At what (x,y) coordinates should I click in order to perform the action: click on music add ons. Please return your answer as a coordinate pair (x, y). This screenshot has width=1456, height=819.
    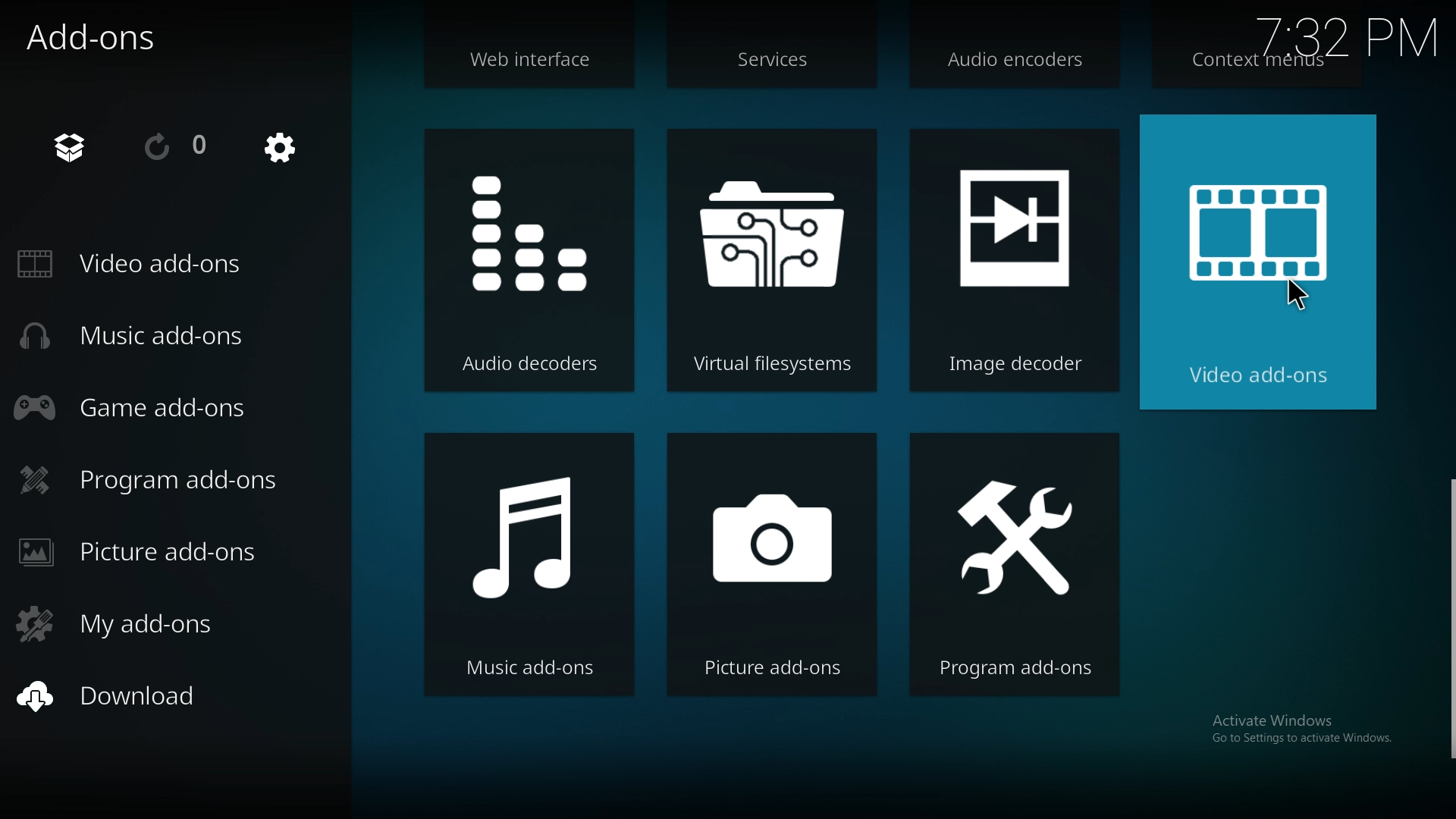
    Looking at the image, I should click on (526, 563).